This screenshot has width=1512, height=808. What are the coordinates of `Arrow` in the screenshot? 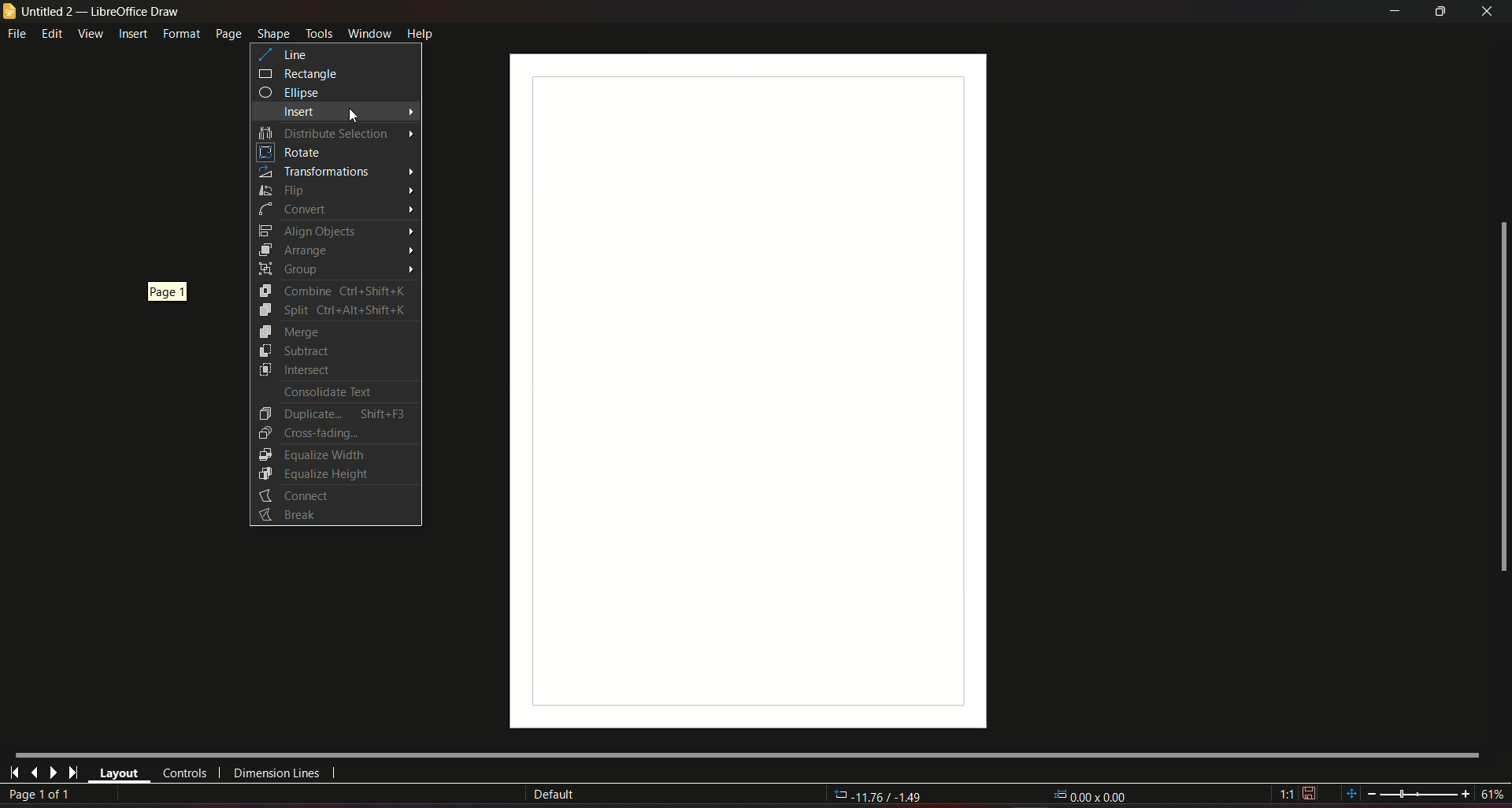 It's located at (408, 172).